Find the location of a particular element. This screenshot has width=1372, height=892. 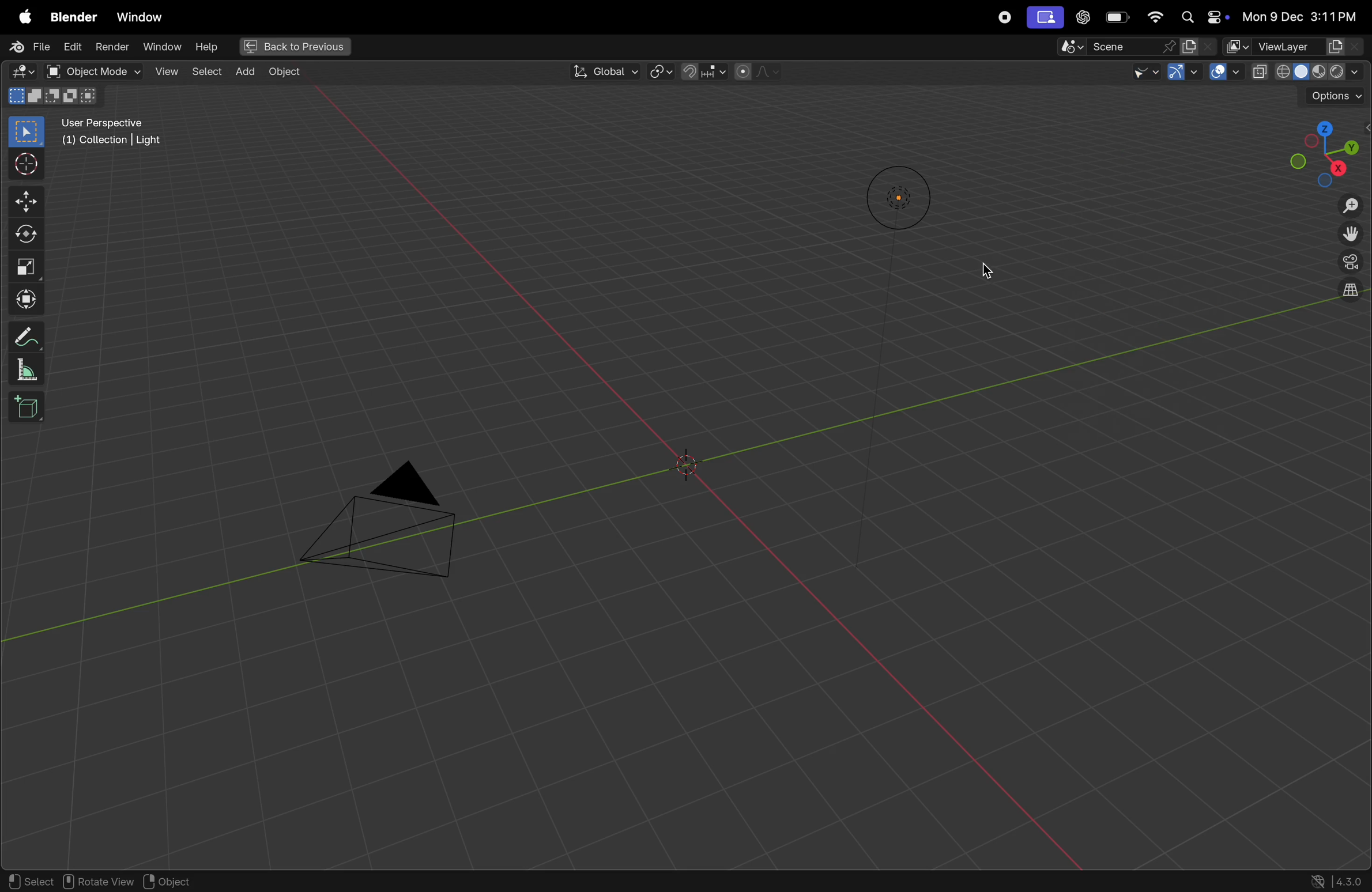

user perspective is located at coordinates (120, 133).